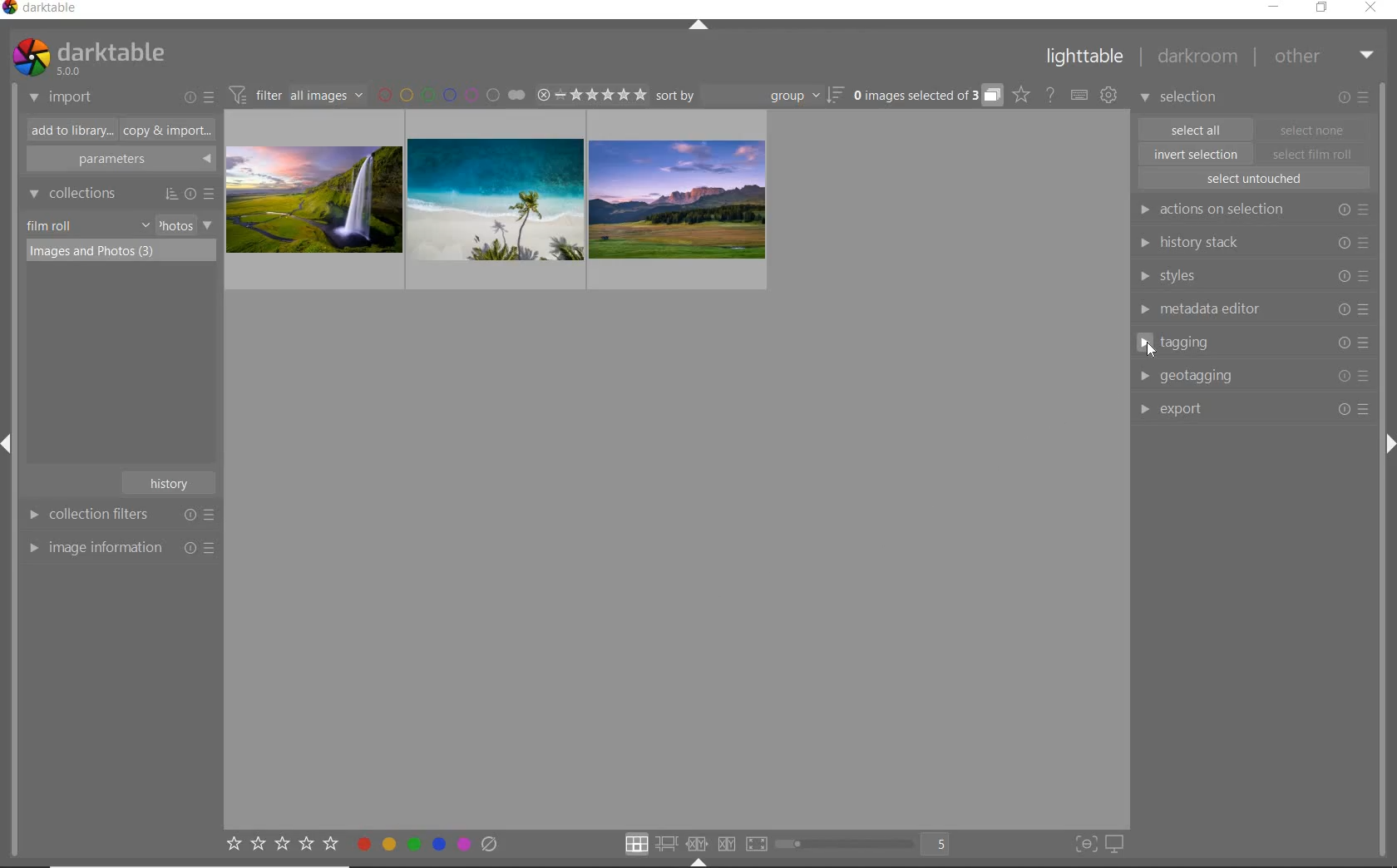 This screenshot has width=1397, height=868. Describe the element at coordinates (926, 96) in the screenshot. I see `expand grouped images` at that location.